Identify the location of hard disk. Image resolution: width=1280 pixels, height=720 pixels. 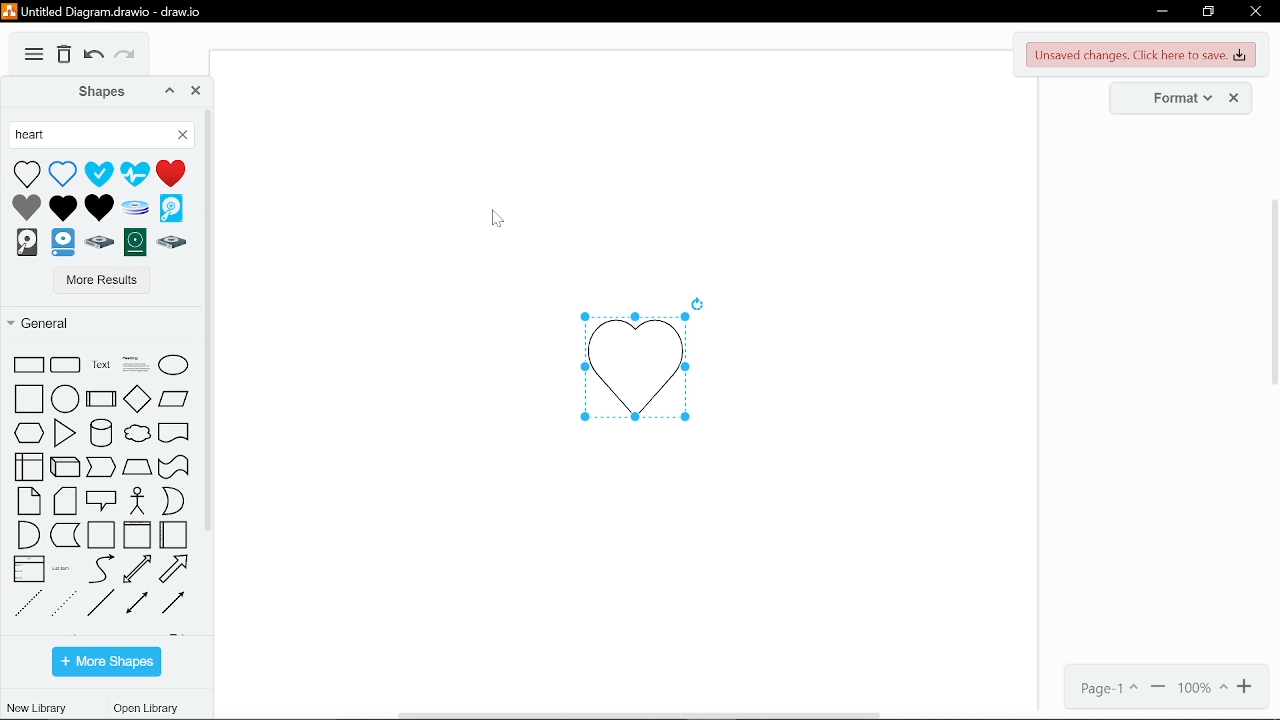
(134, 207).